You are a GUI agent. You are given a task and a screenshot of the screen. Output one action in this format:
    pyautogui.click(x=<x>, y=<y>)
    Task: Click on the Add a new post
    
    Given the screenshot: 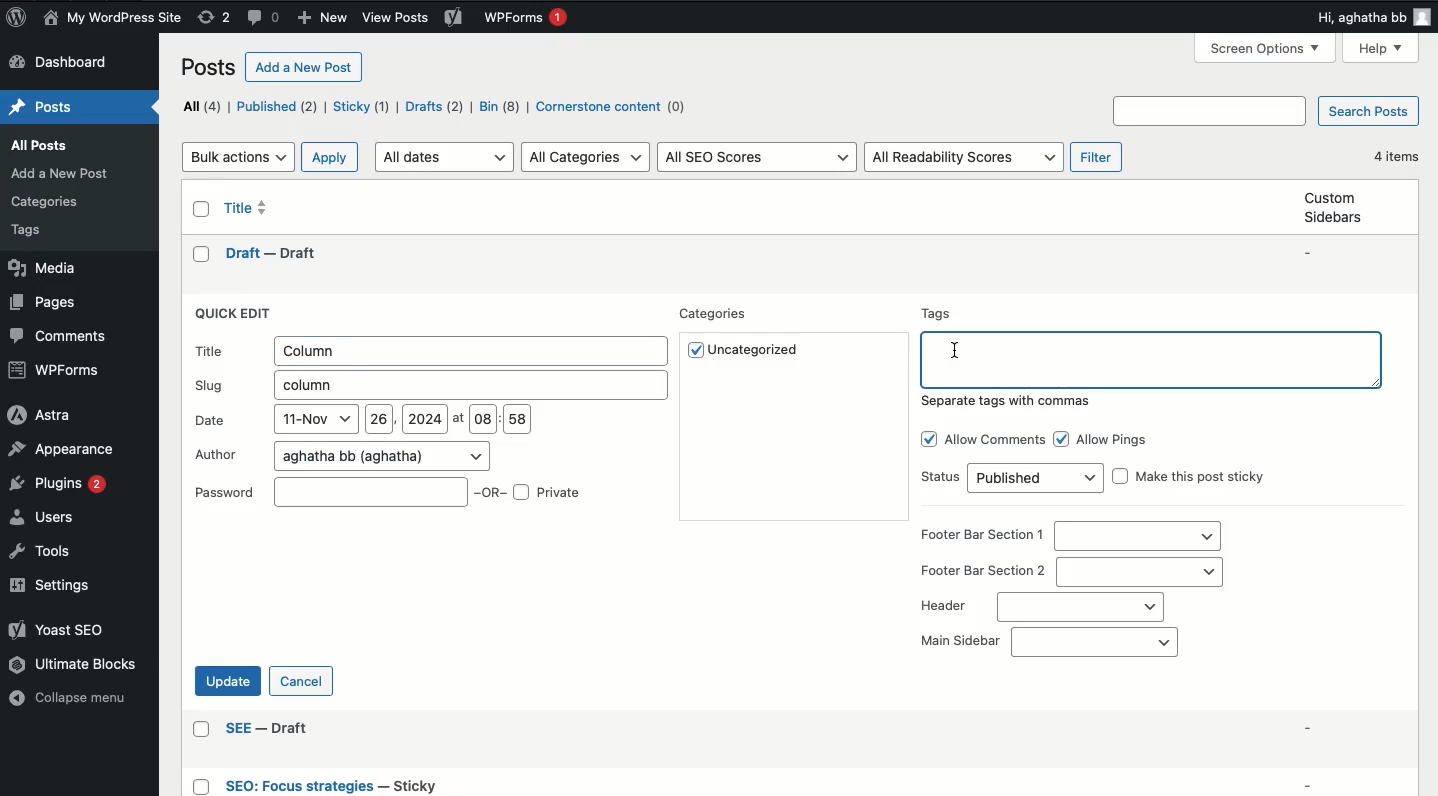 What is the action you would take?
    pyautogui.click(x=304, y=67)
    